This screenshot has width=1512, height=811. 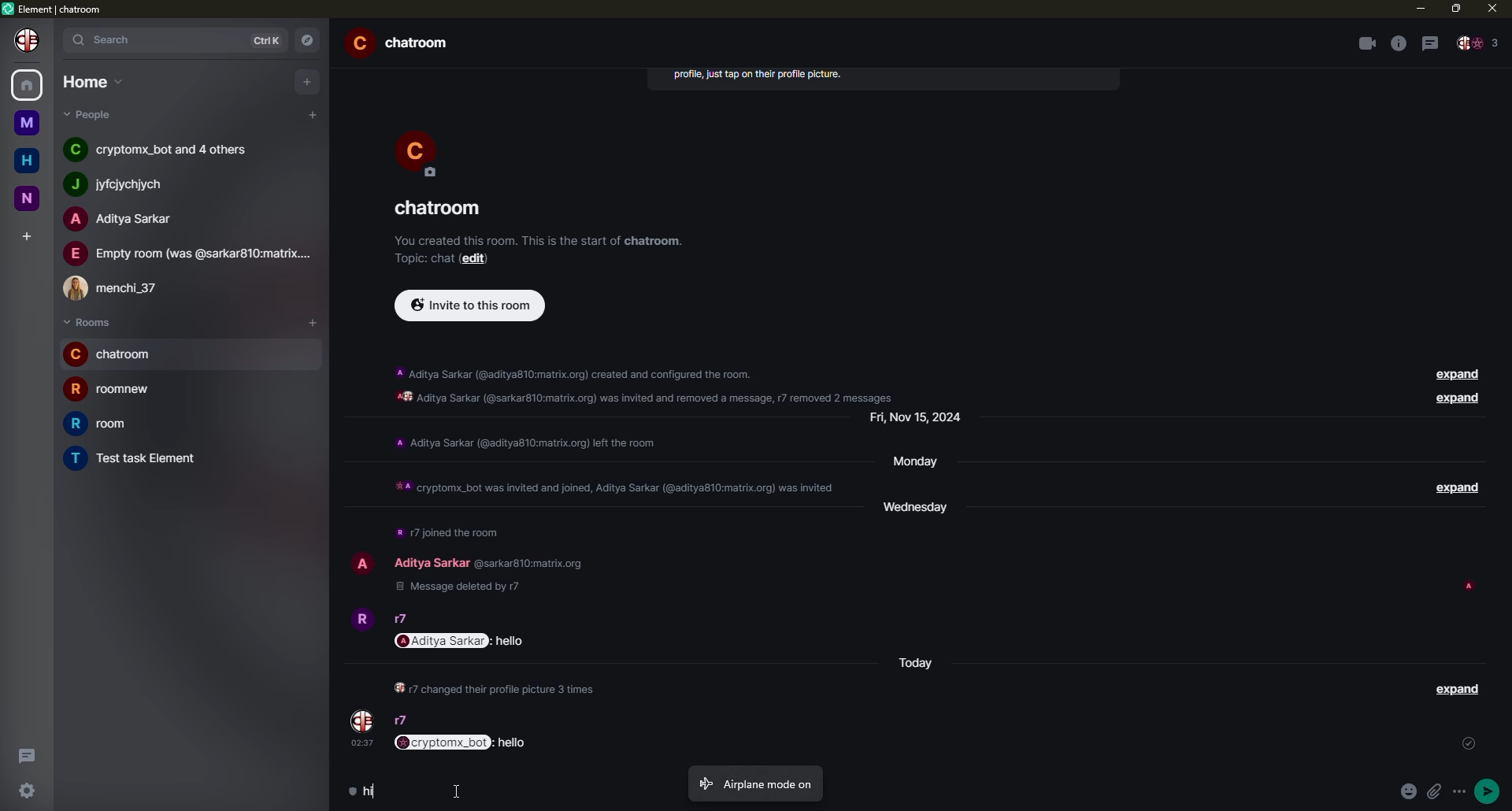 What do you see at coordinates (313, 321) in the screenshot?
I see `add` at bounding box center [313, 321].